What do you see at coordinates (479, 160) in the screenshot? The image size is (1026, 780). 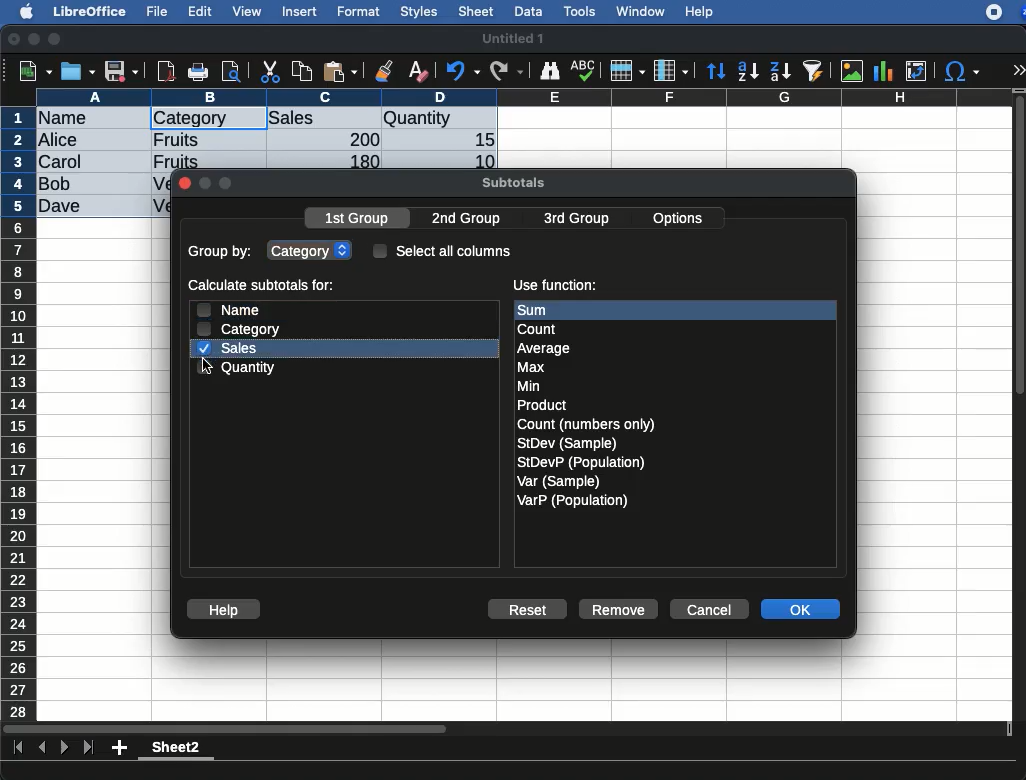 I see `10` at bounding box center [479, 160].